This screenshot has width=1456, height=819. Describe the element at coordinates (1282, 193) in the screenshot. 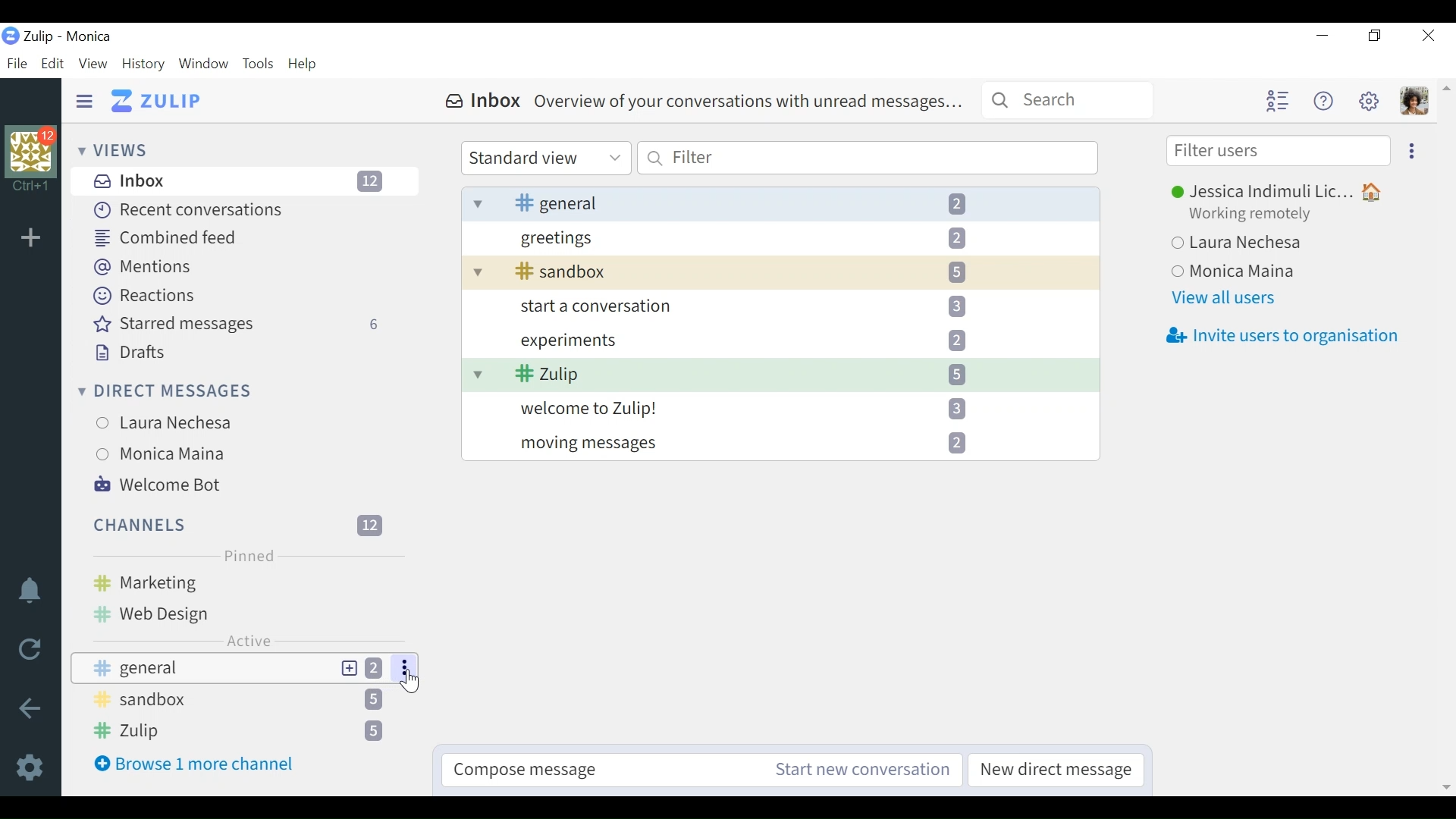

I see `Jessica Indimuli Lic...` at that location.